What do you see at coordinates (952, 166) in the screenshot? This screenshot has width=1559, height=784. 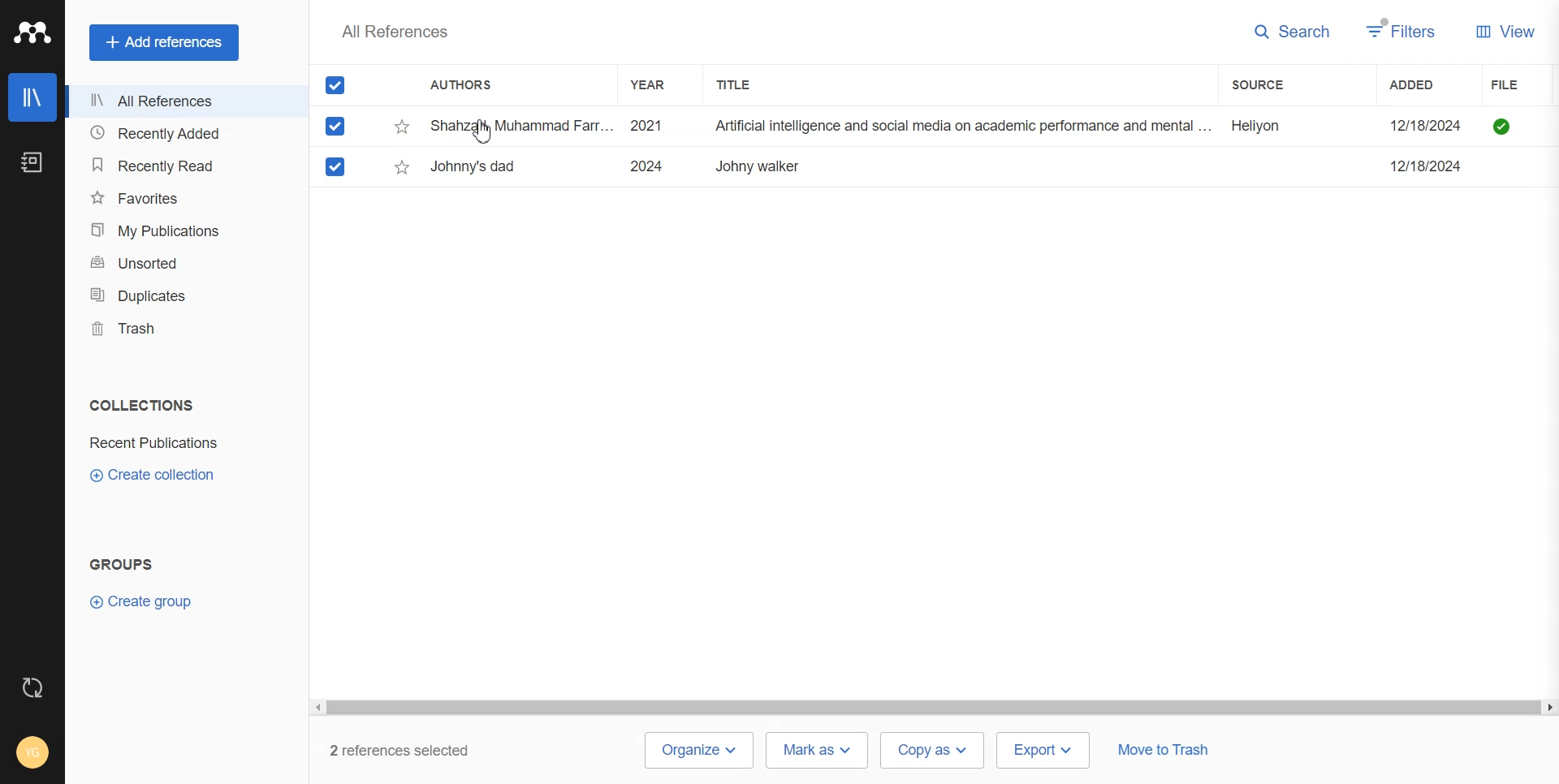 I see `Ezquerro, L.; Coimbra, R.; ... 2023 Large dinosaur egg accumulations and their significance for understanding ne... Geoscience Frontiers ~~ 12/18/2024` at bounding box center [952, 166].